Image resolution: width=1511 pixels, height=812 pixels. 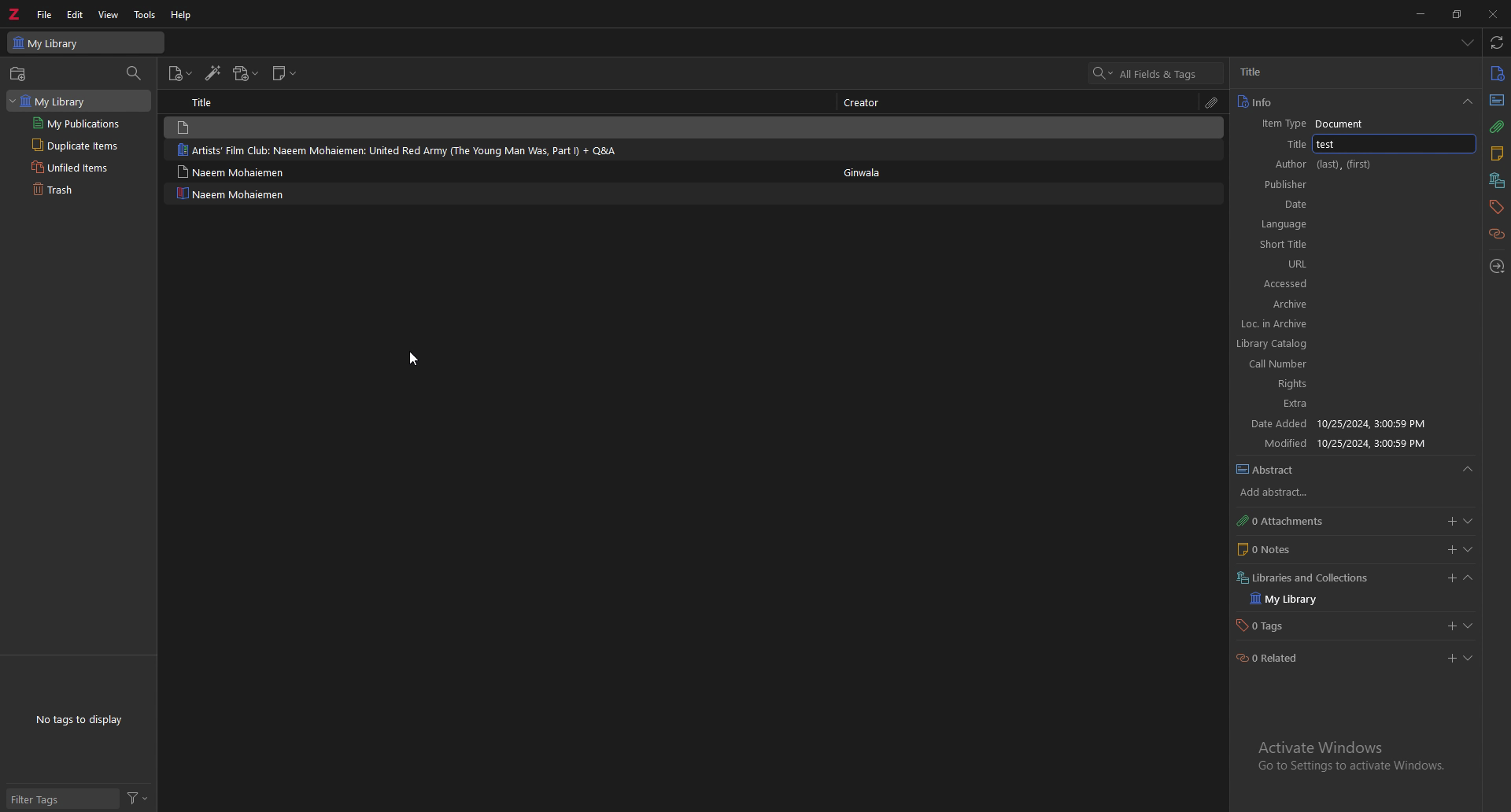 What do you see at coordinates (78, 719) in the screenshot?
I see `no tags to display` at bounding box center [78, 719].